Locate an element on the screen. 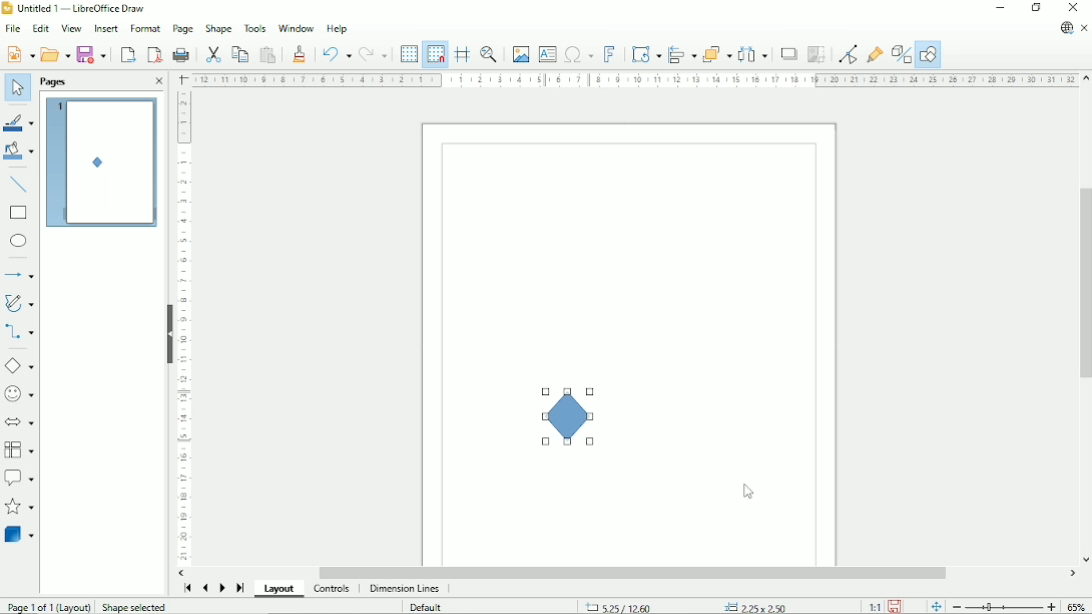 The image size is (1092, 614). New is located at coordinates (20, 52).